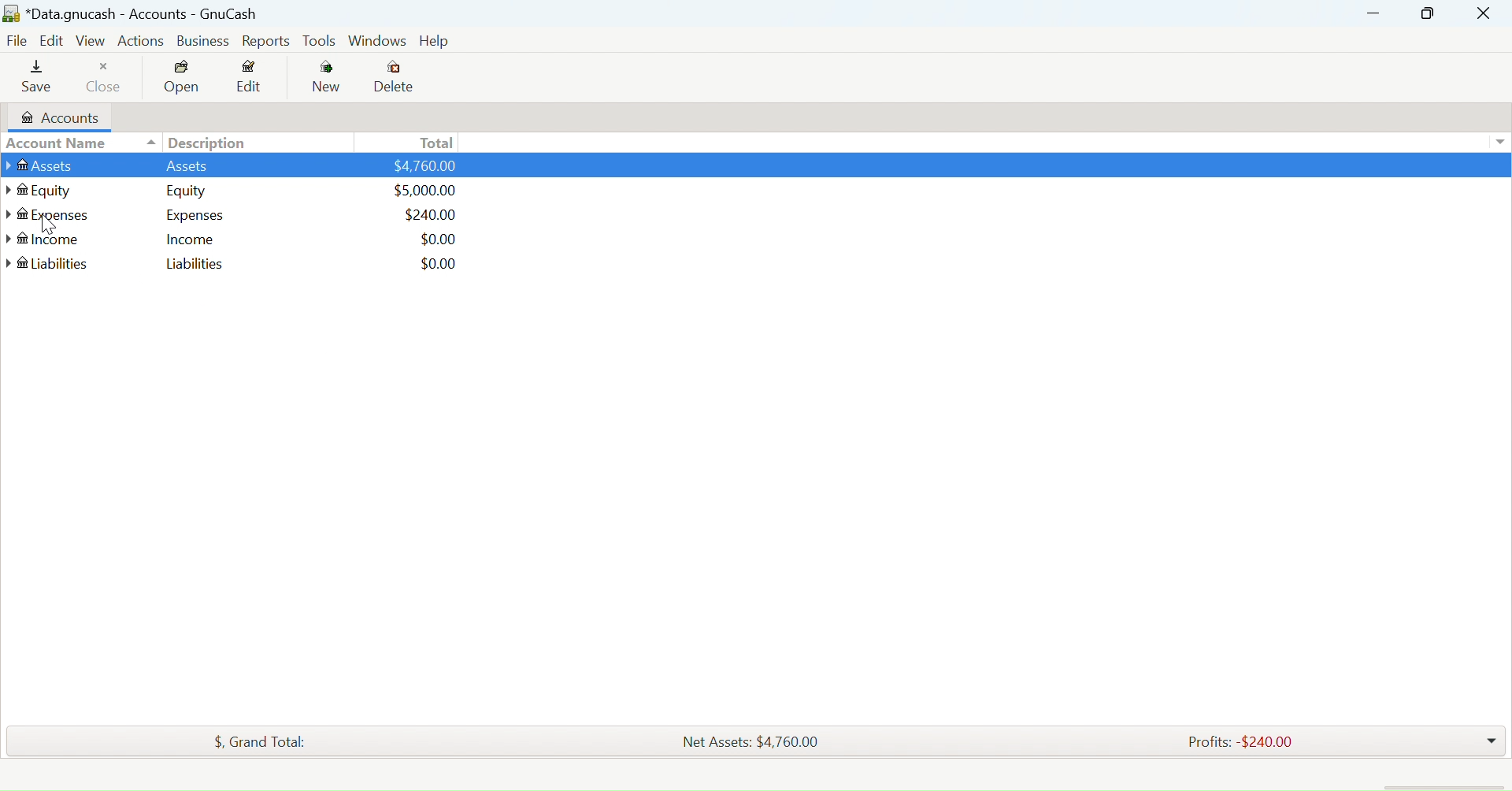  I want to click on Actions, so click(143, 43).